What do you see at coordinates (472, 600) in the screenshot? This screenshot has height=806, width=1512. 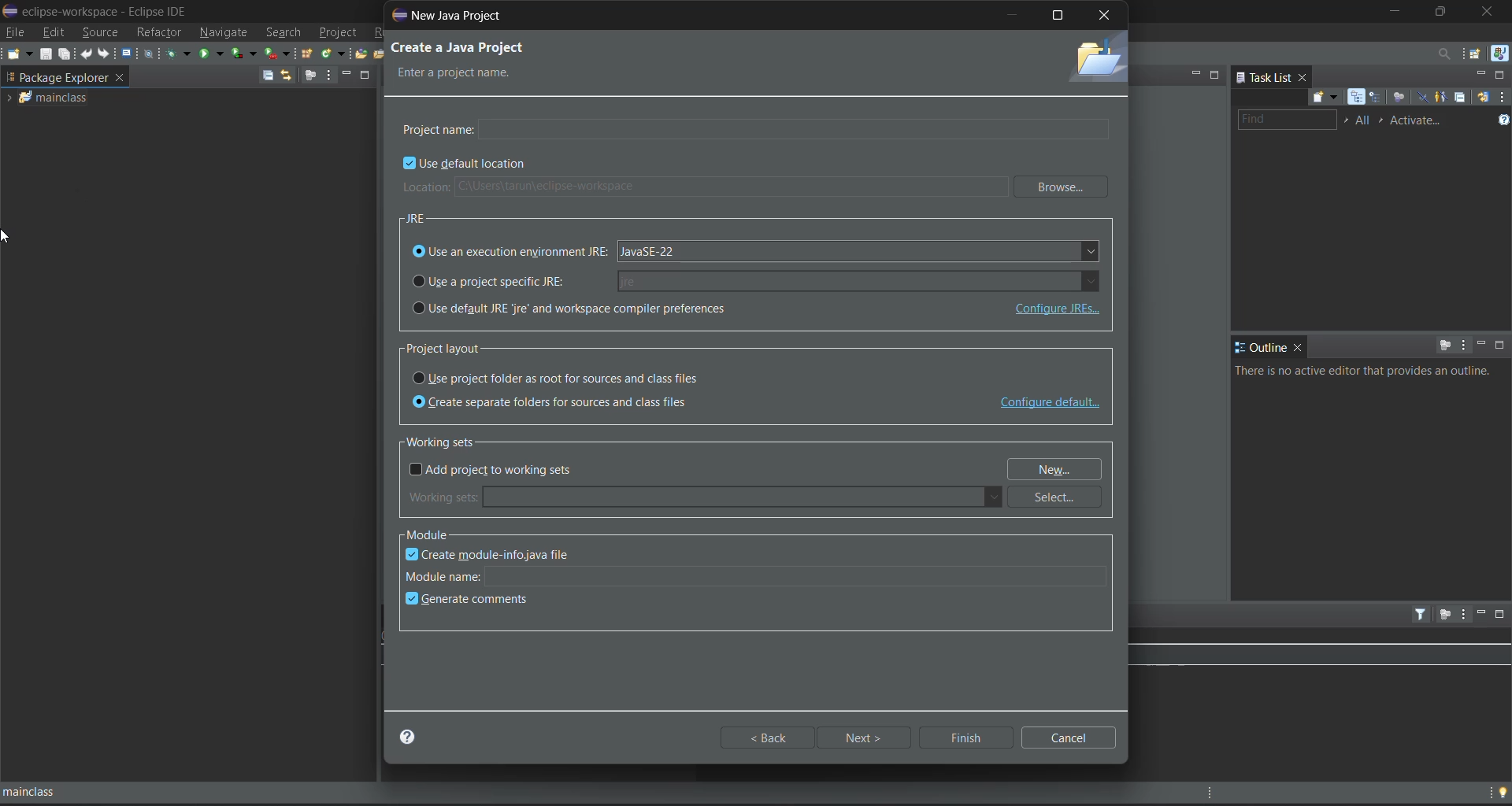 I see `generate comments` at bounding box center [472, 600].